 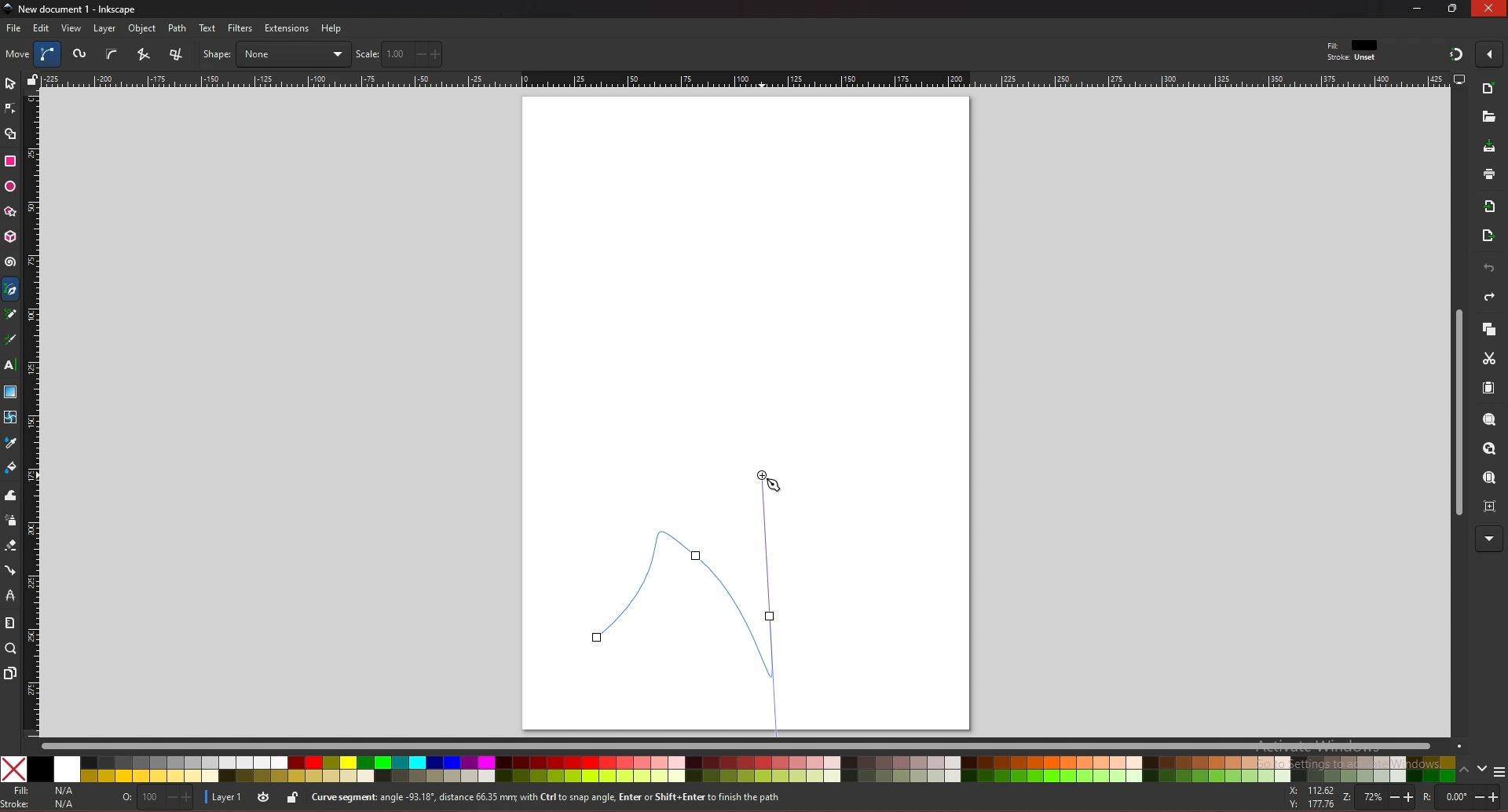 I want to click on layer, so click(x=104, y=28).